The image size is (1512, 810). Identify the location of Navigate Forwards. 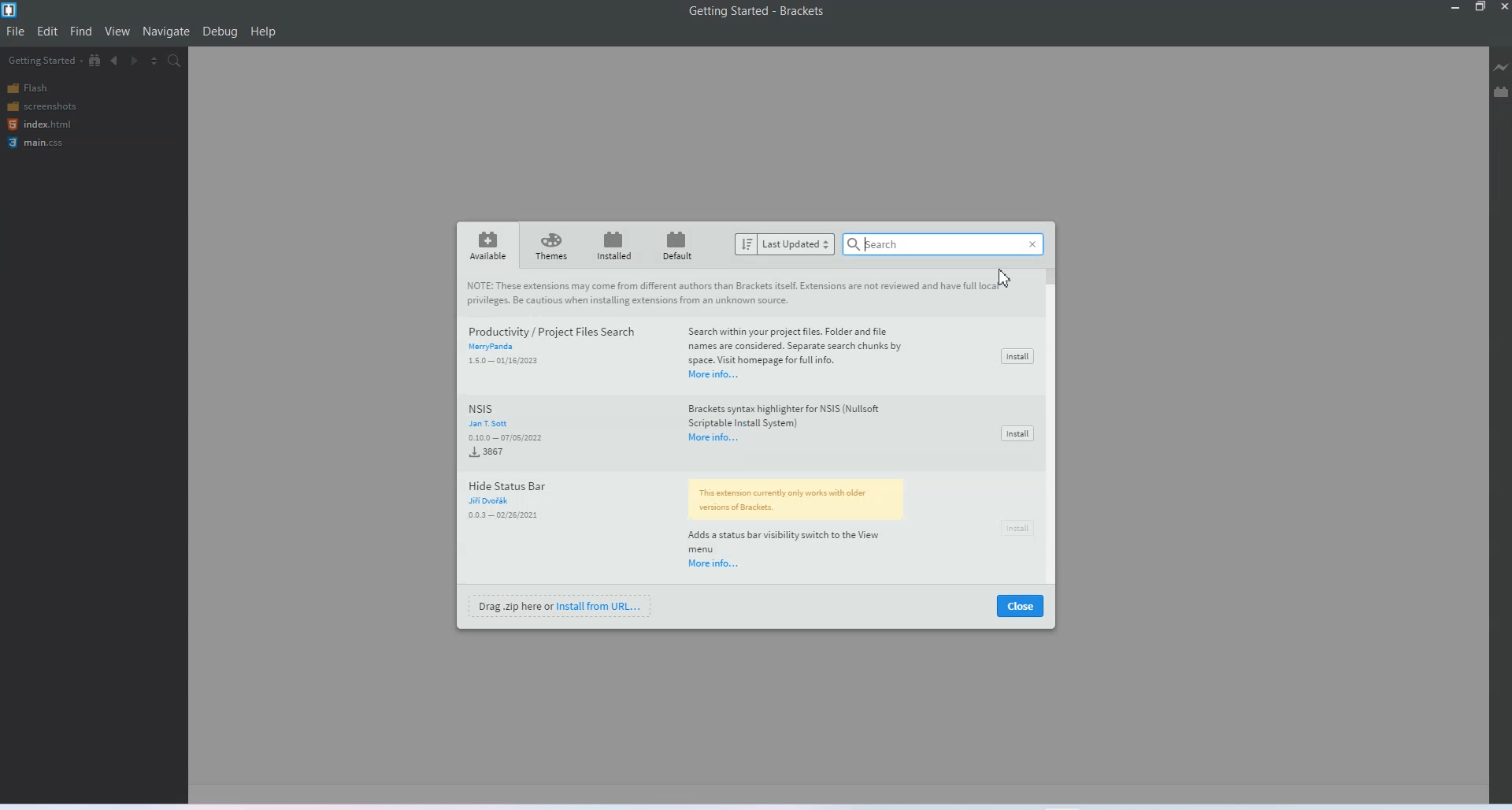
(135, 61).